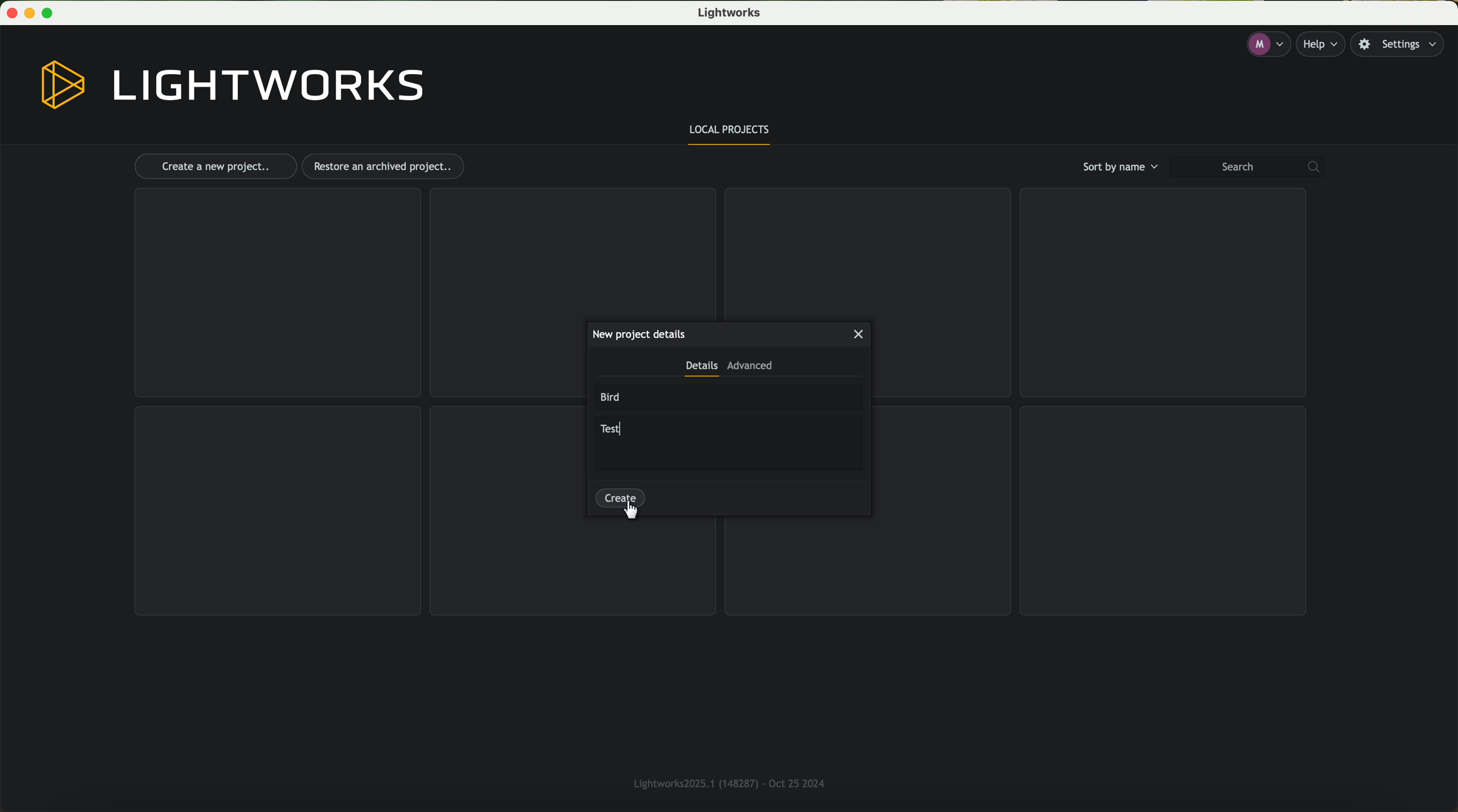  What do you see at coordinates (860, 334) in the screenshot?
I see `close` at bounding box center [860, 334].